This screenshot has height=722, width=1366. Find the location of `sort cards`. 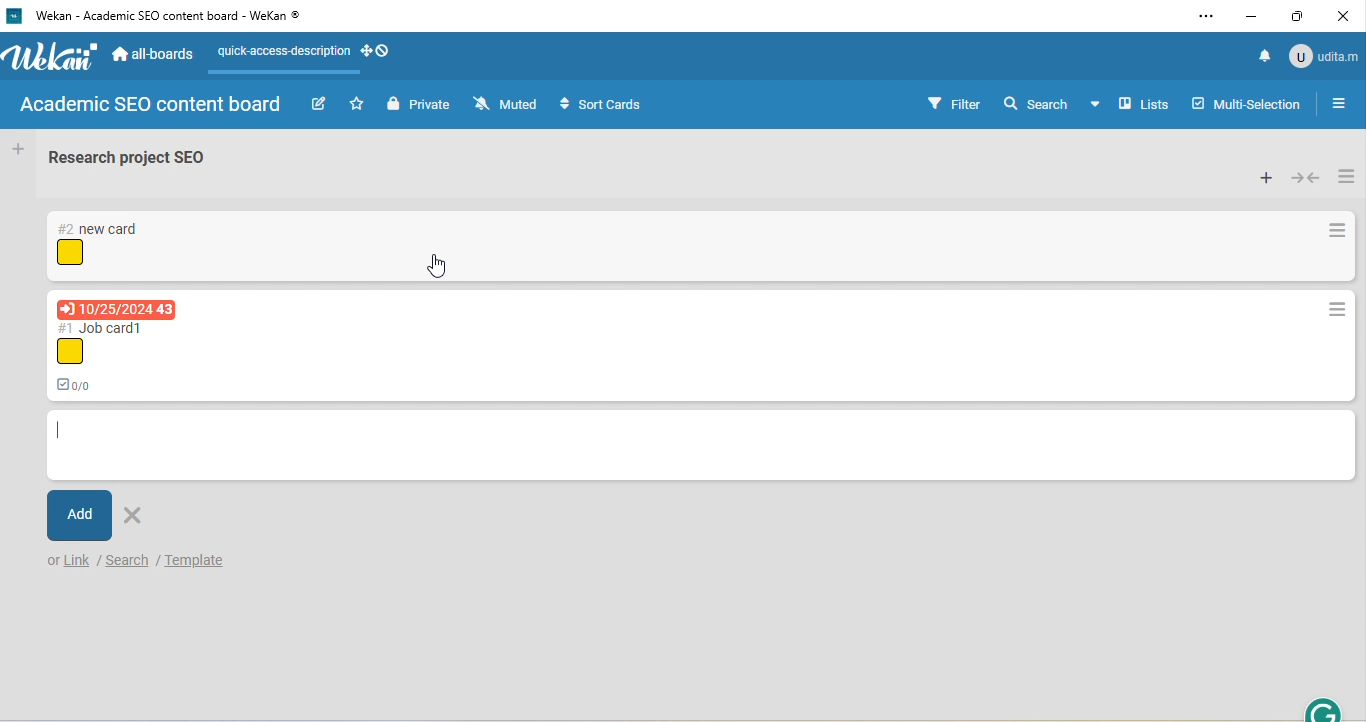

sort cards is located at coordinates (606, 106).